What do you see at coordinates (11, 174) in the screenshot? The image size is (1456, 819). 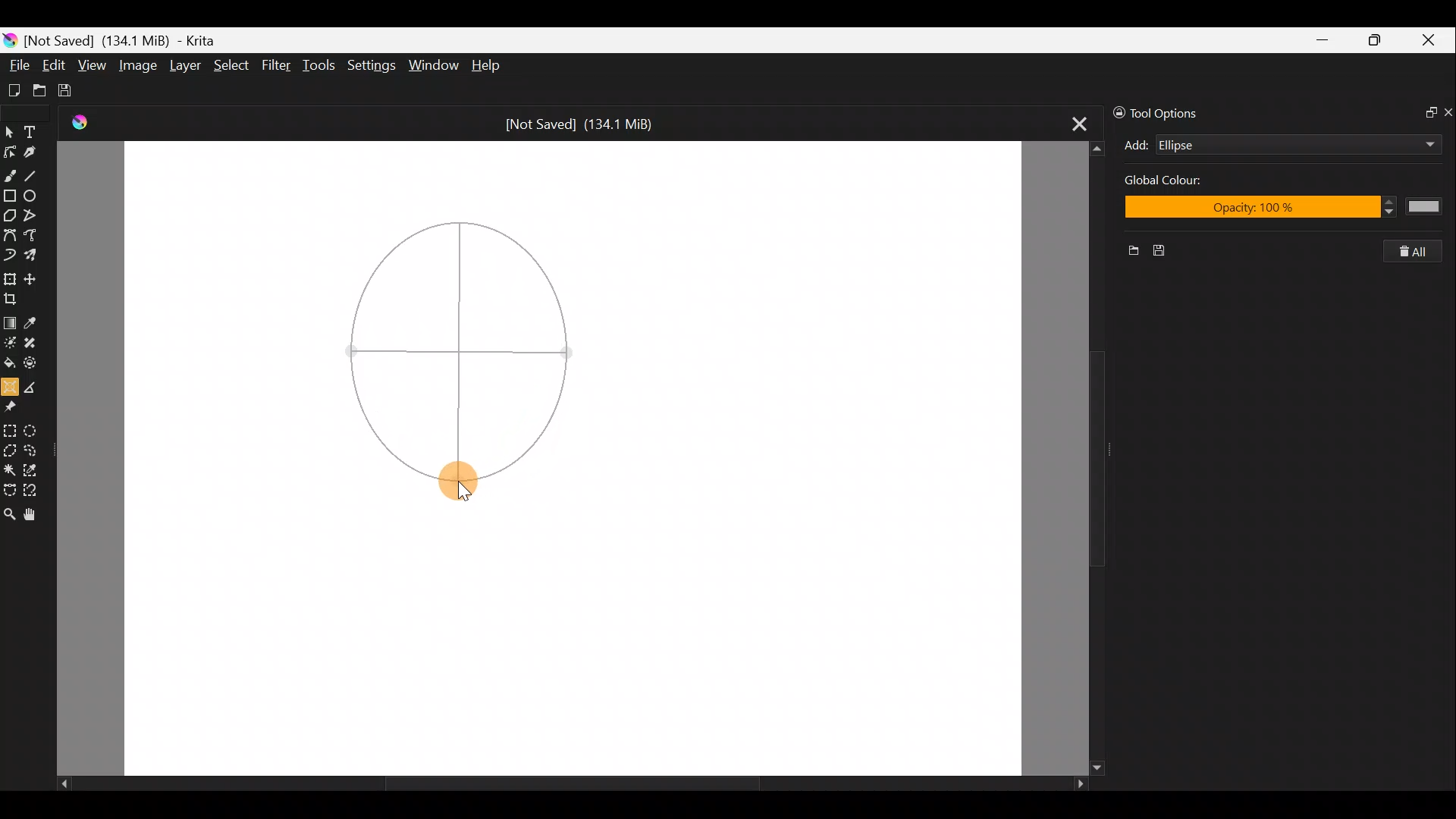 I see `Freehand brush tool` at bounding box center [11, 174].